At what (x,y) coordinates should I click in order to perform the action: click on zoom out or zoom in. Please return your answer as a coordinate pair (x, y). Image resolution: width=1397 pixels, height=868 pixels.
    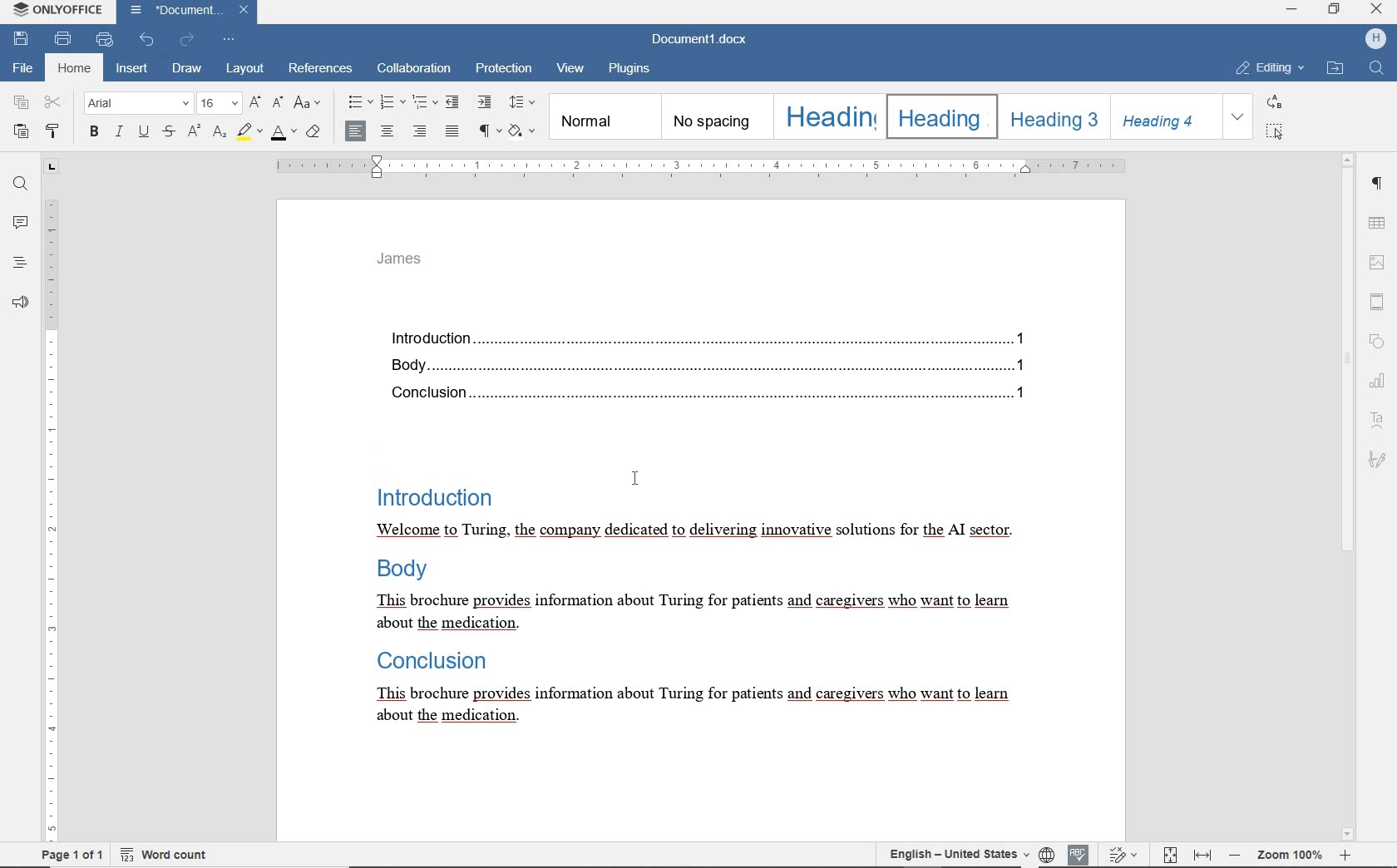
    Looking at the image, I should click on (1293, 853).